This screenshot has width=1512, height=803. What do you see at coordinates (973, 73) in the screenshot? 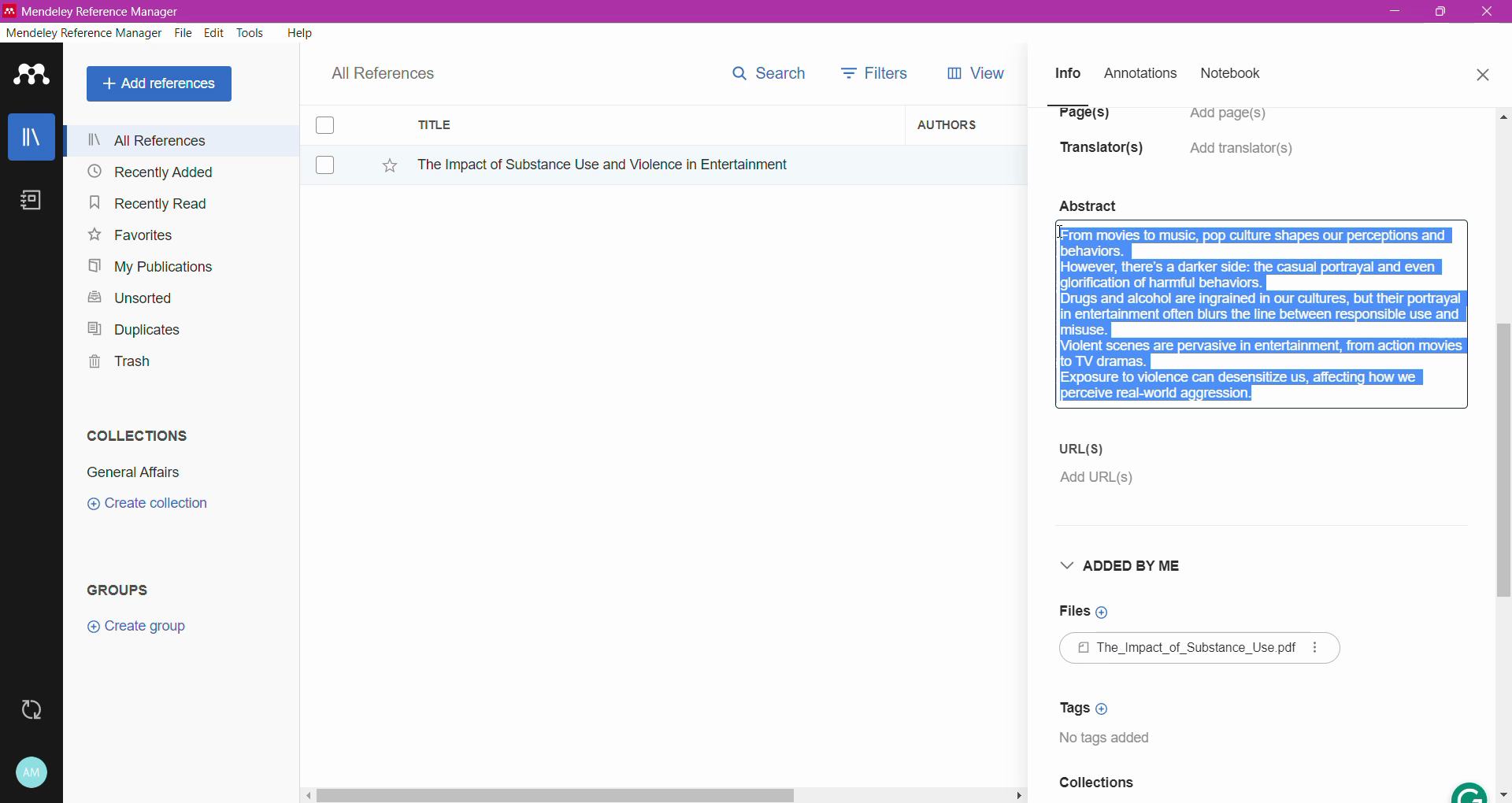
I see `View` at bounding box center [973, 73].